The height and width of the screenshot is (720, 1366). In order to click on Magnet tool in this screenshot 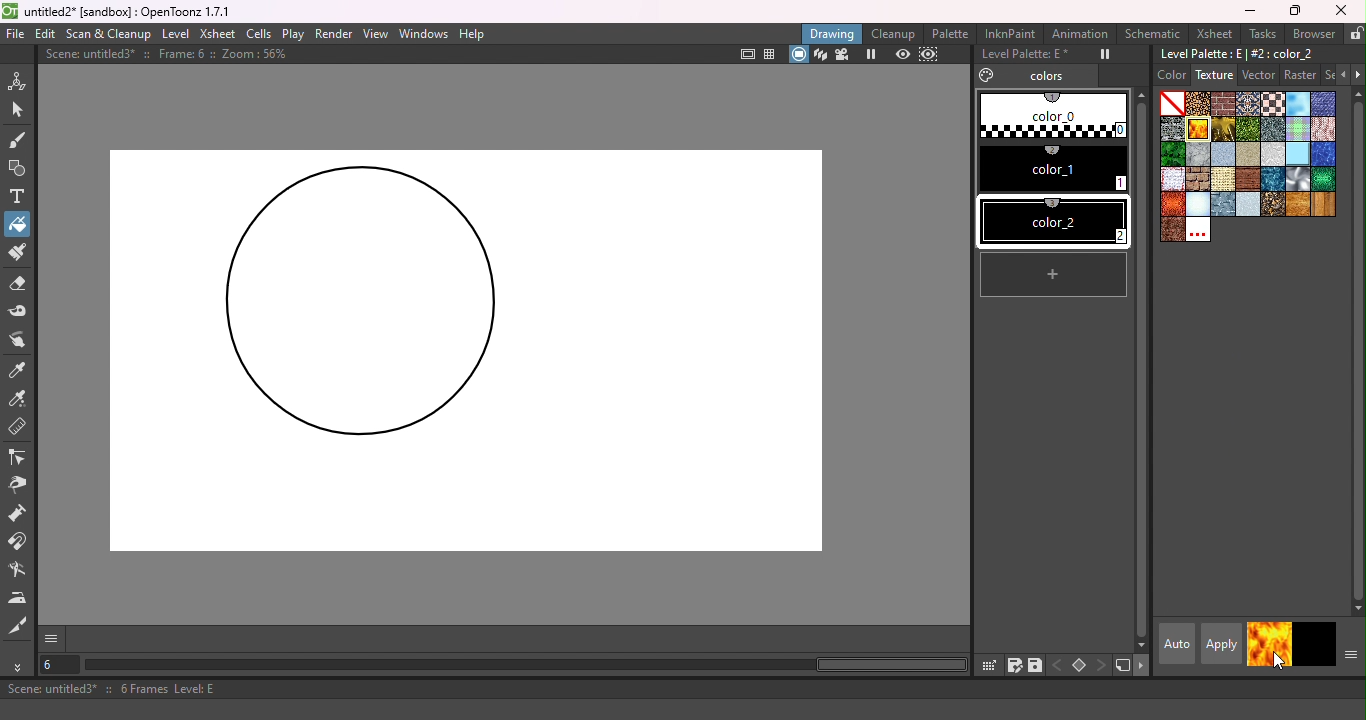, I will do `click(18, 543)`.